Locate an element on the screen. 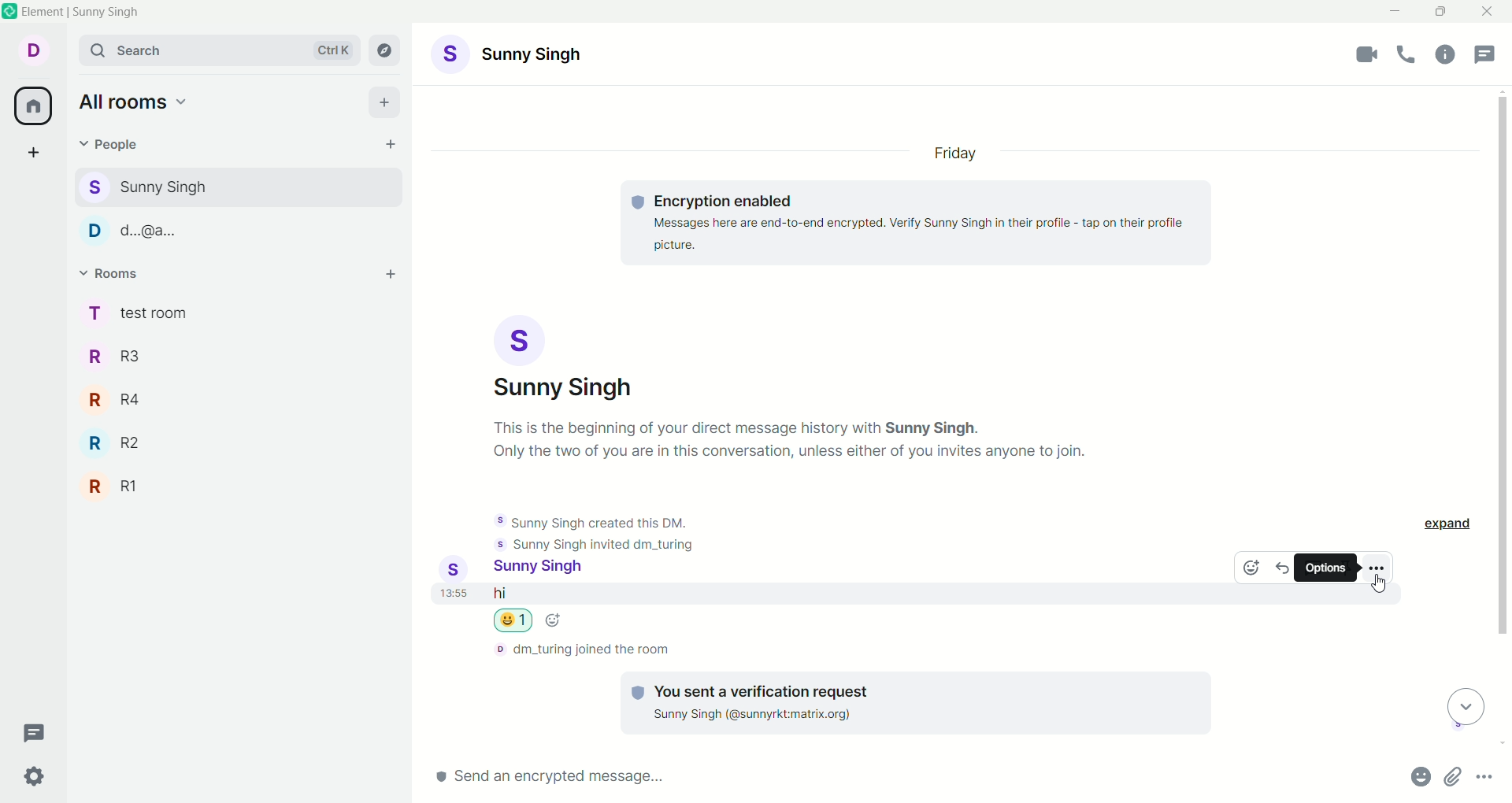 The width and height of the screenshot is (1512, 803). reply is located at coordinates (1284, 567).